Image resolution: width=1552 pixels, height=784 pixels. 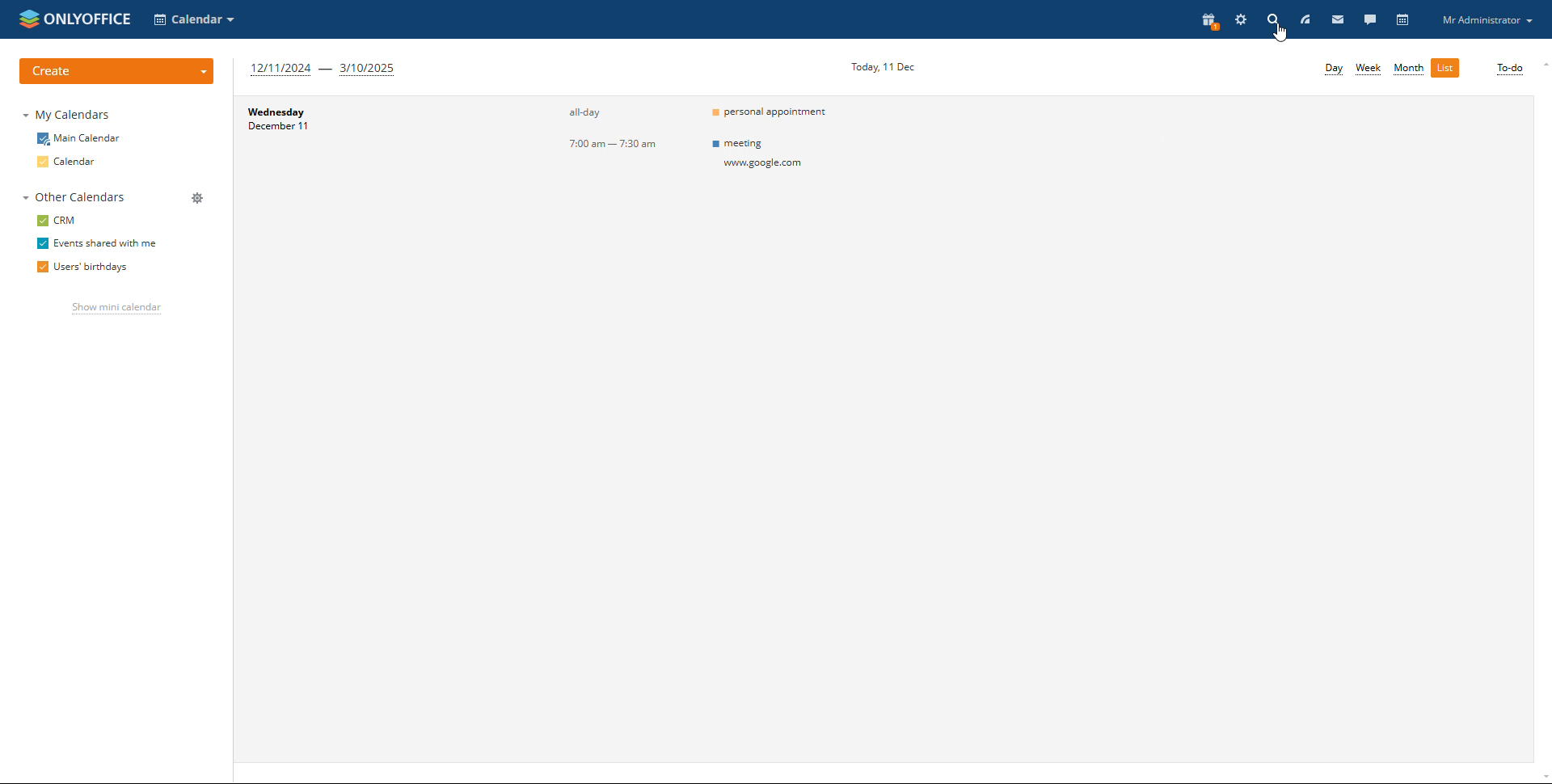 I want to click on cursor, so click(x=1280, y=33).